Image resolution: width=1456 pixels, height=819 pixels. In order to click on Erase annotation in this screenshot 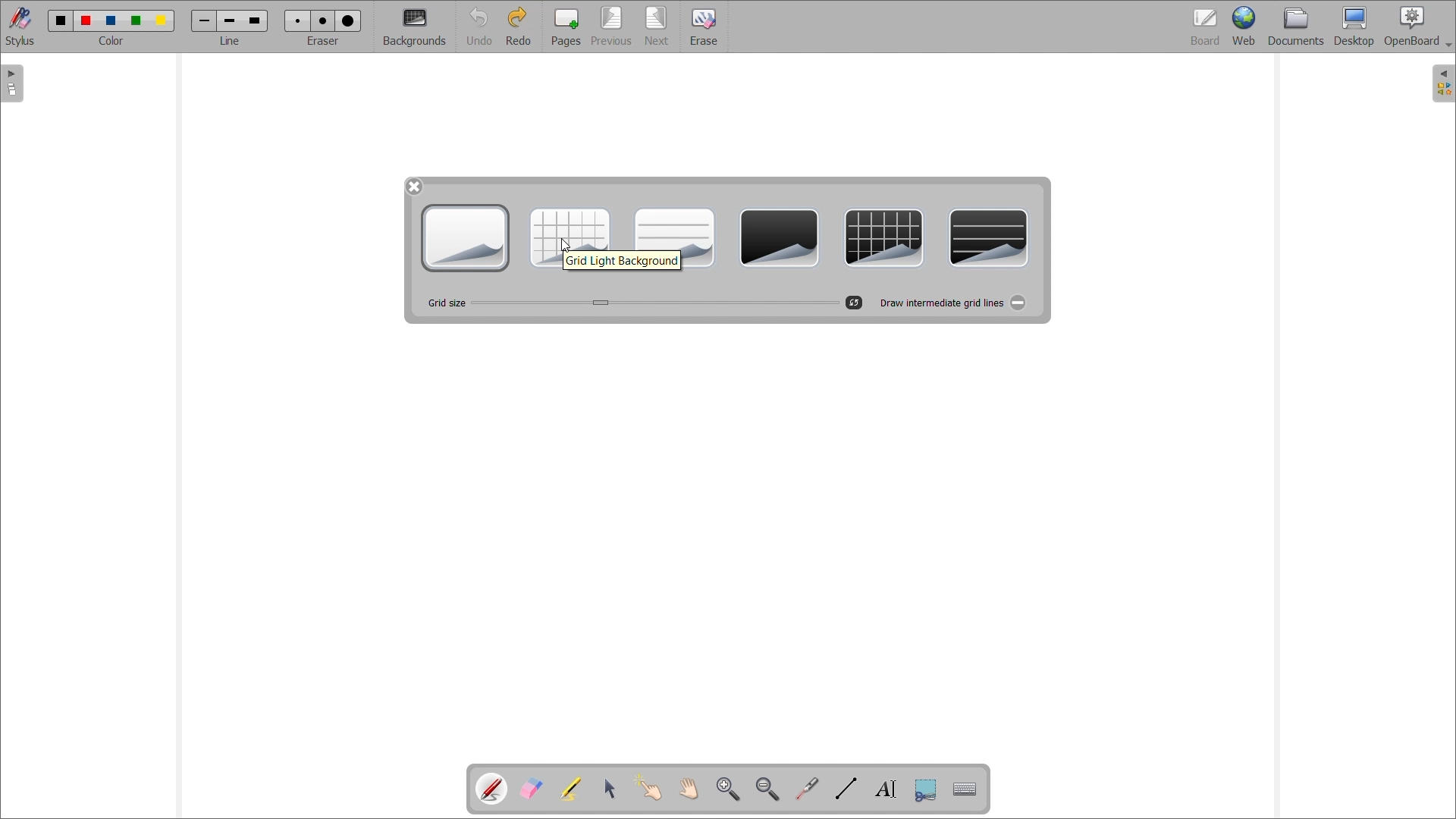, I will do `click(530, 789)`.